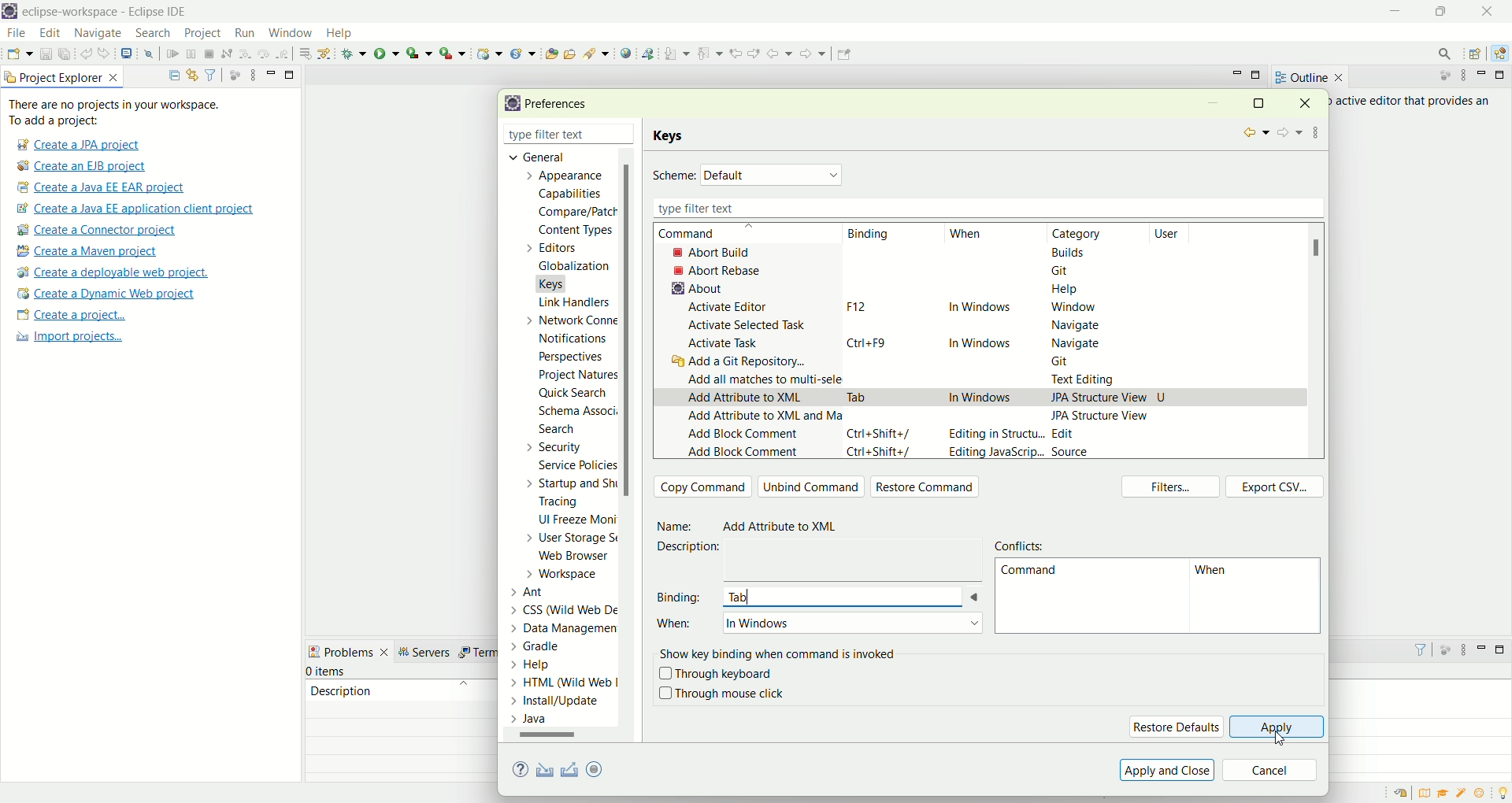 The image size is (1512, 803). What do you see at coordinates (674, 176) in the screenshot?
I see `scheme` at bounding box center [674, 176].